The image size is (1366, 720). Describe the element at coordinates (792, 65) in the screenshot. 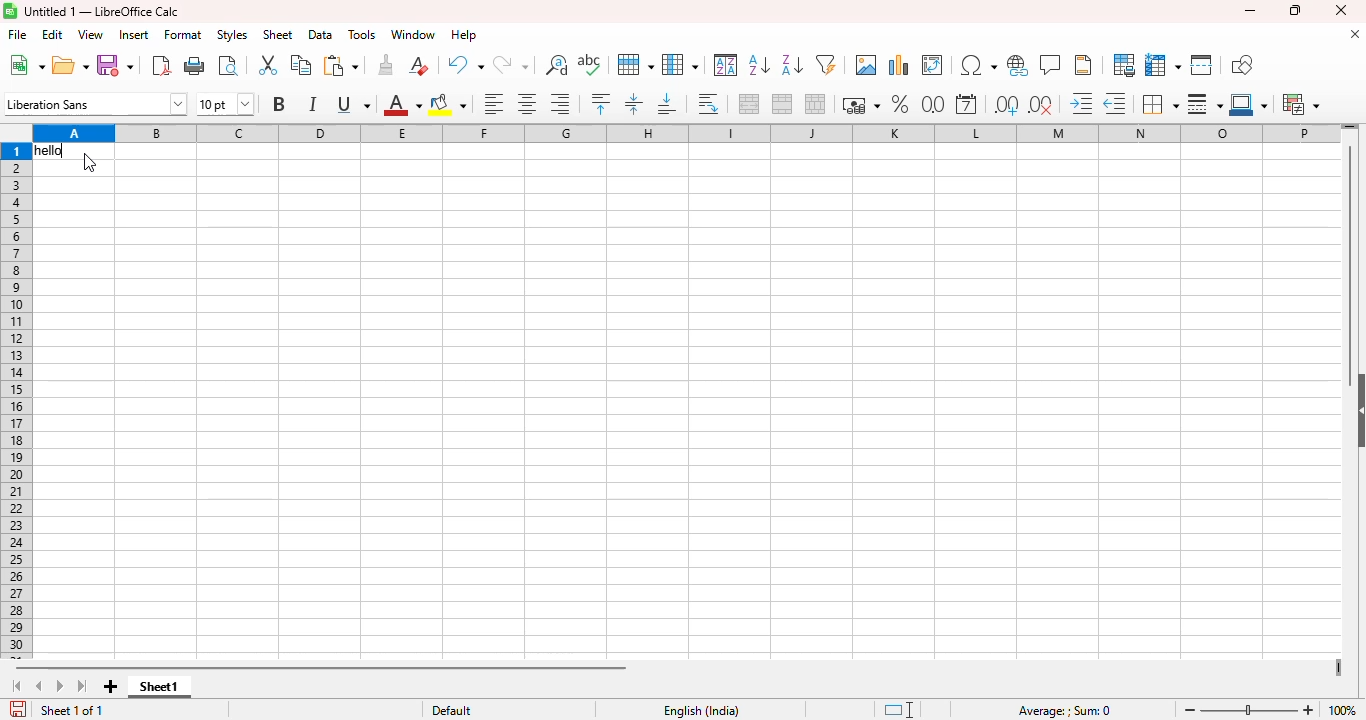

I see `sort descending` at that location.